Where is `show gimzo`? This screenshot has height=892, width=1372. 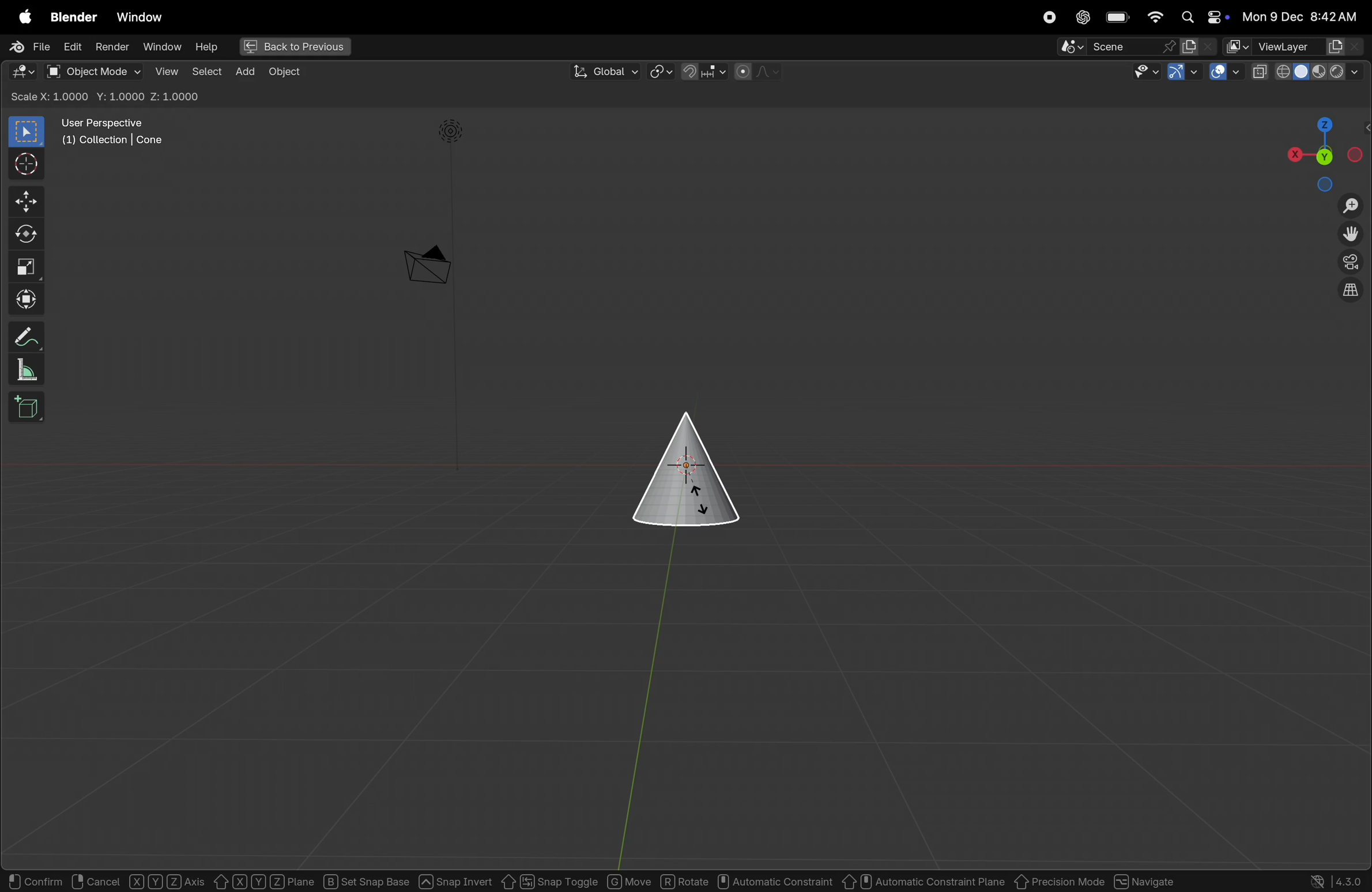 show gimzo is located at coordinates (1181, 73).